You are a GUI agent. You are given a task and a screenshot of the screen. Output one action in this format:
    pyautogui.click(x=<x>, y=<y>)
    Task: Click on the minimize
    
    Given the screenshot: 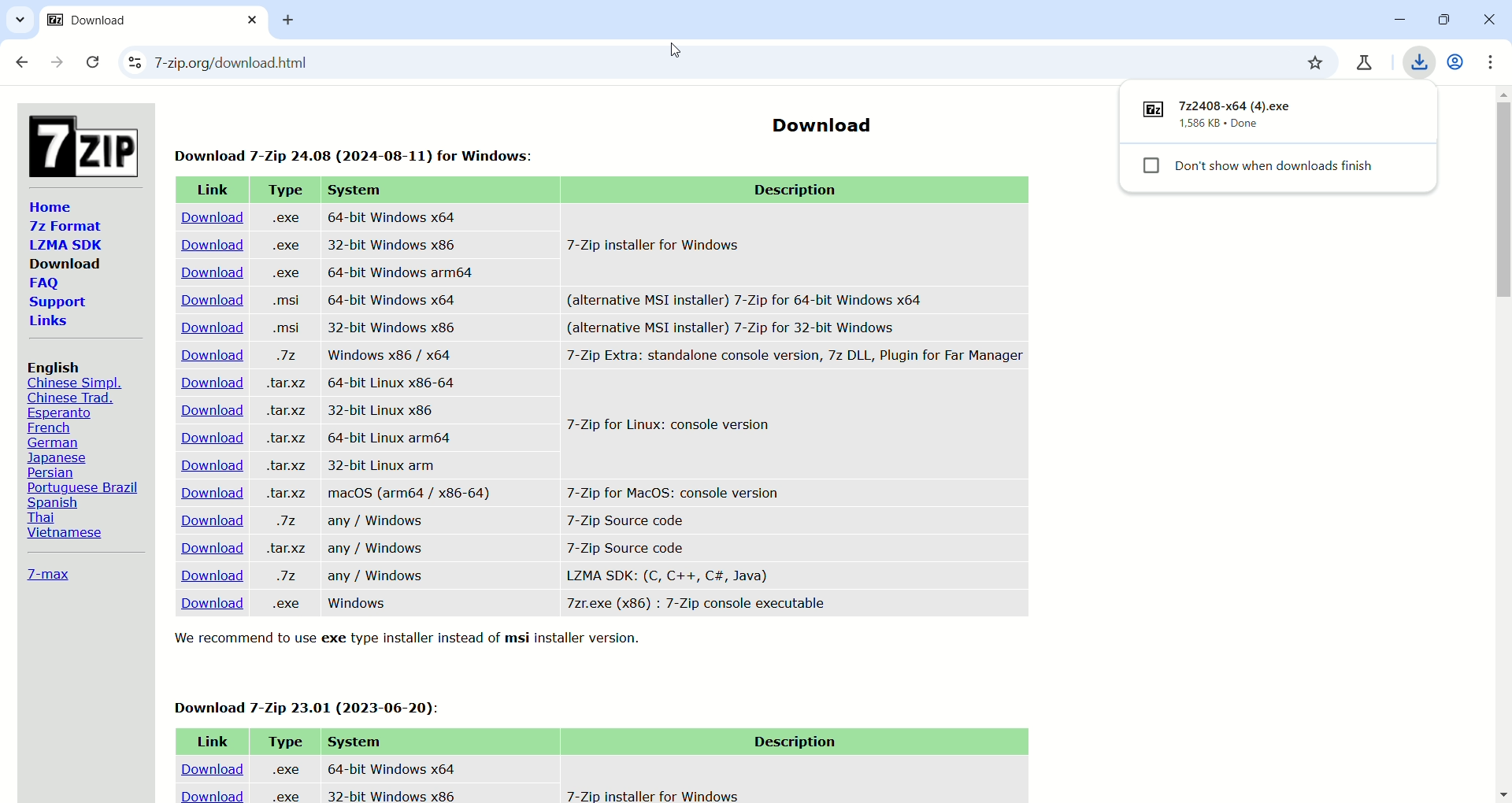 What is the action you would take?
    pyautogui.click(x=1488, y=22)
    